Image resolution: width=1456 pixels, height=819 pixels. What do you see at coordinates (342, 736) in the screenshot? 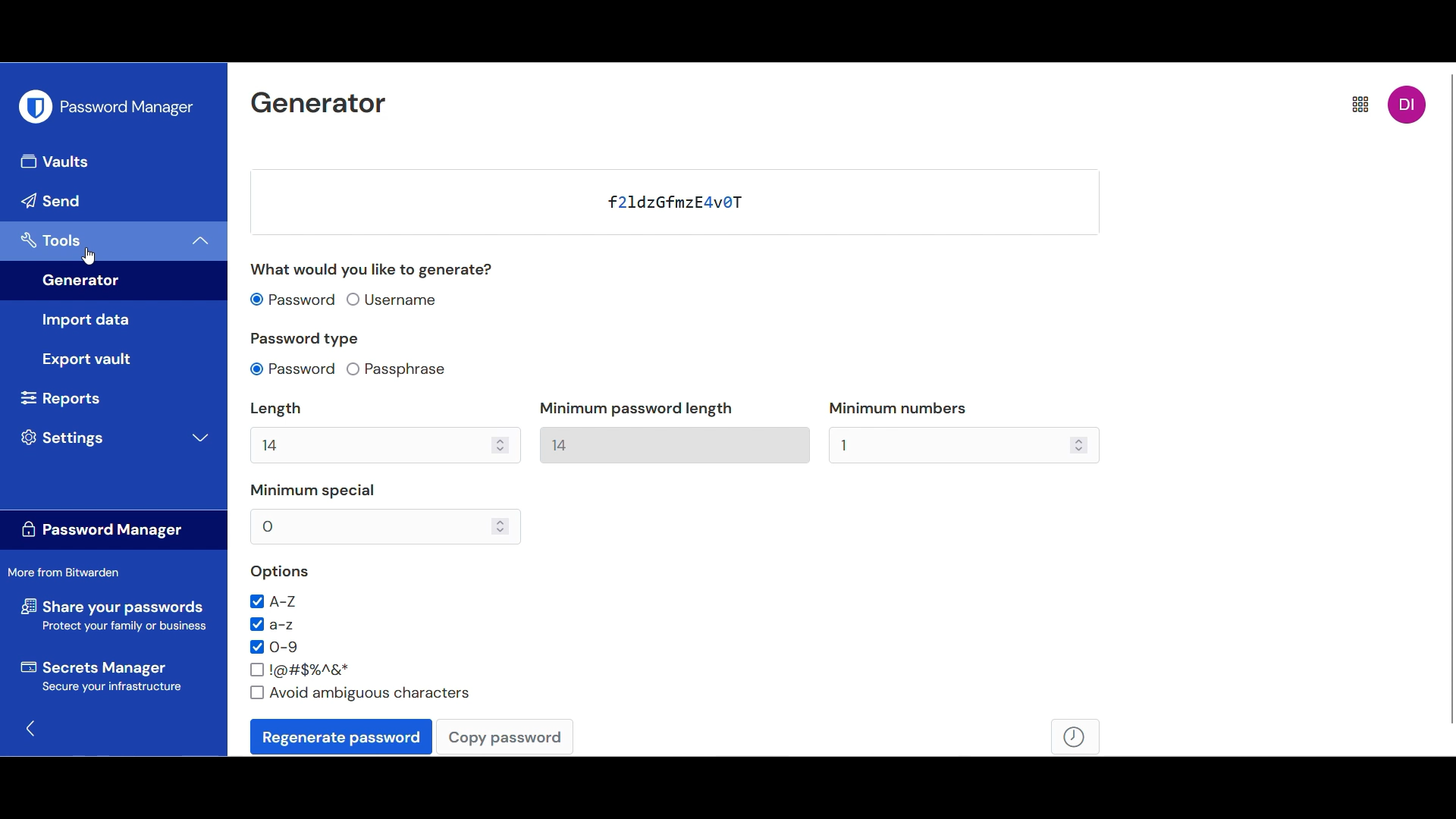
I see `Regenerate password` at bounding box center [342, 736].